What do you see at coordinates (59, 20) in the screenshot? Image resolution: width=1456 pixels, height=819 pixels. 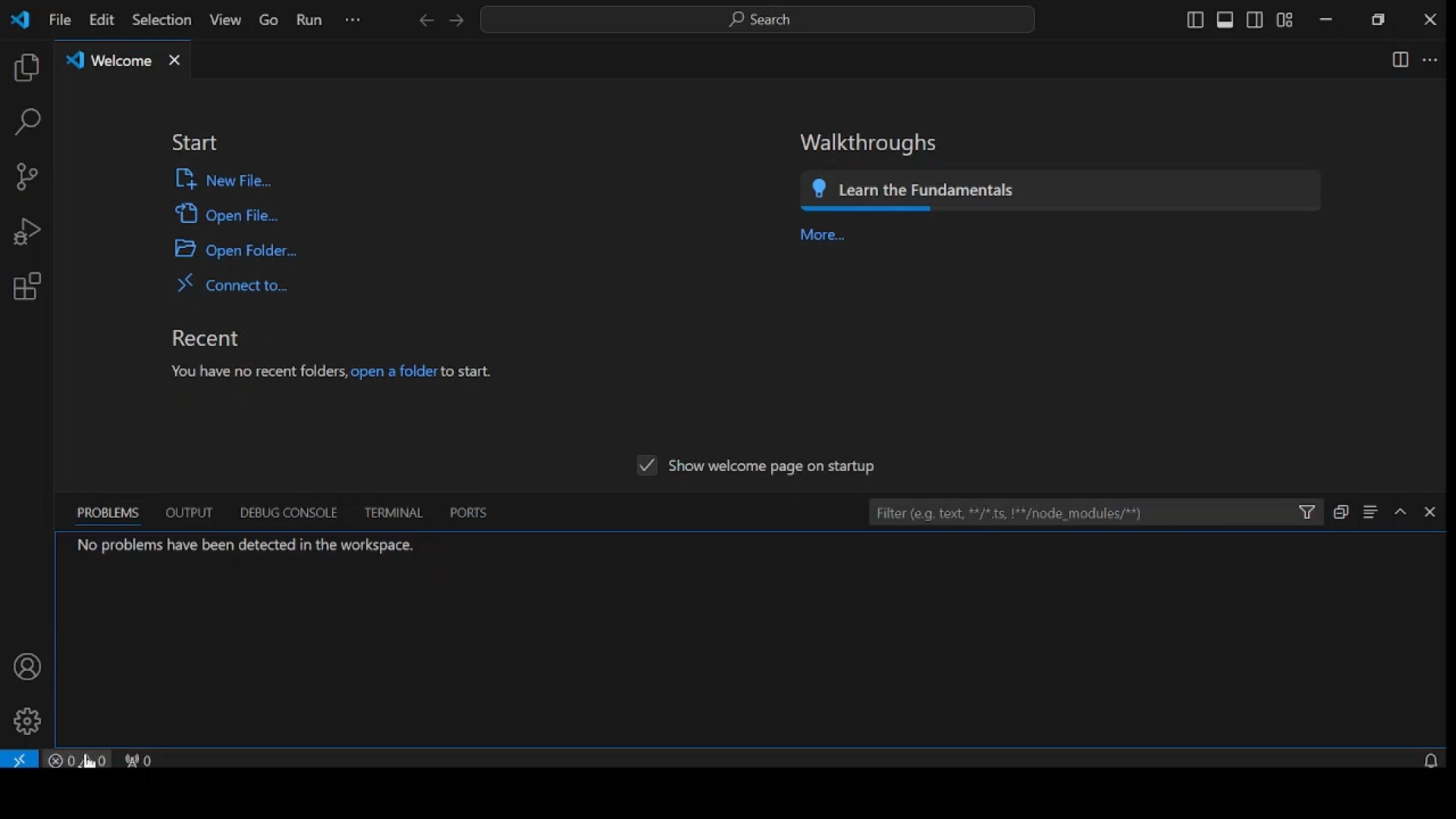 I see `file` at bounding box center [59, 20].